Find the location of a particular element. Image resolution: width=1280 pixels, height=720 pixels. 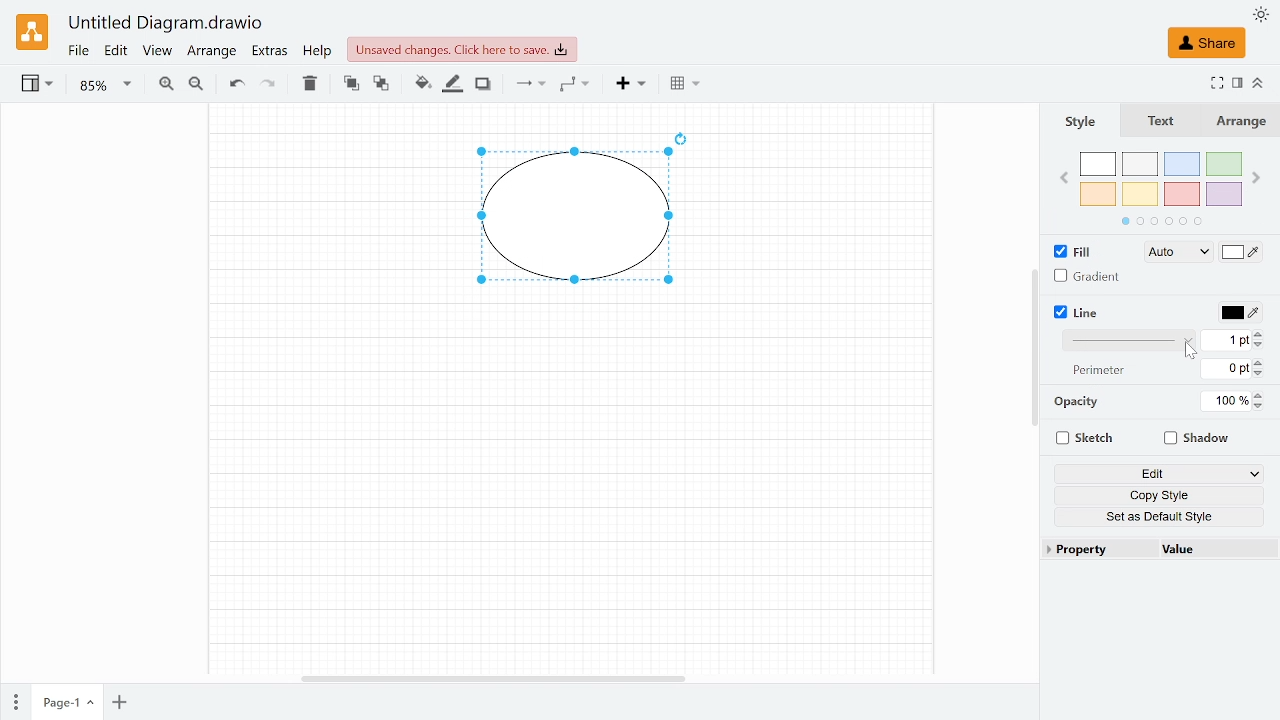

Unsaved changes. Click here to save is located at coordinates (457, 49).